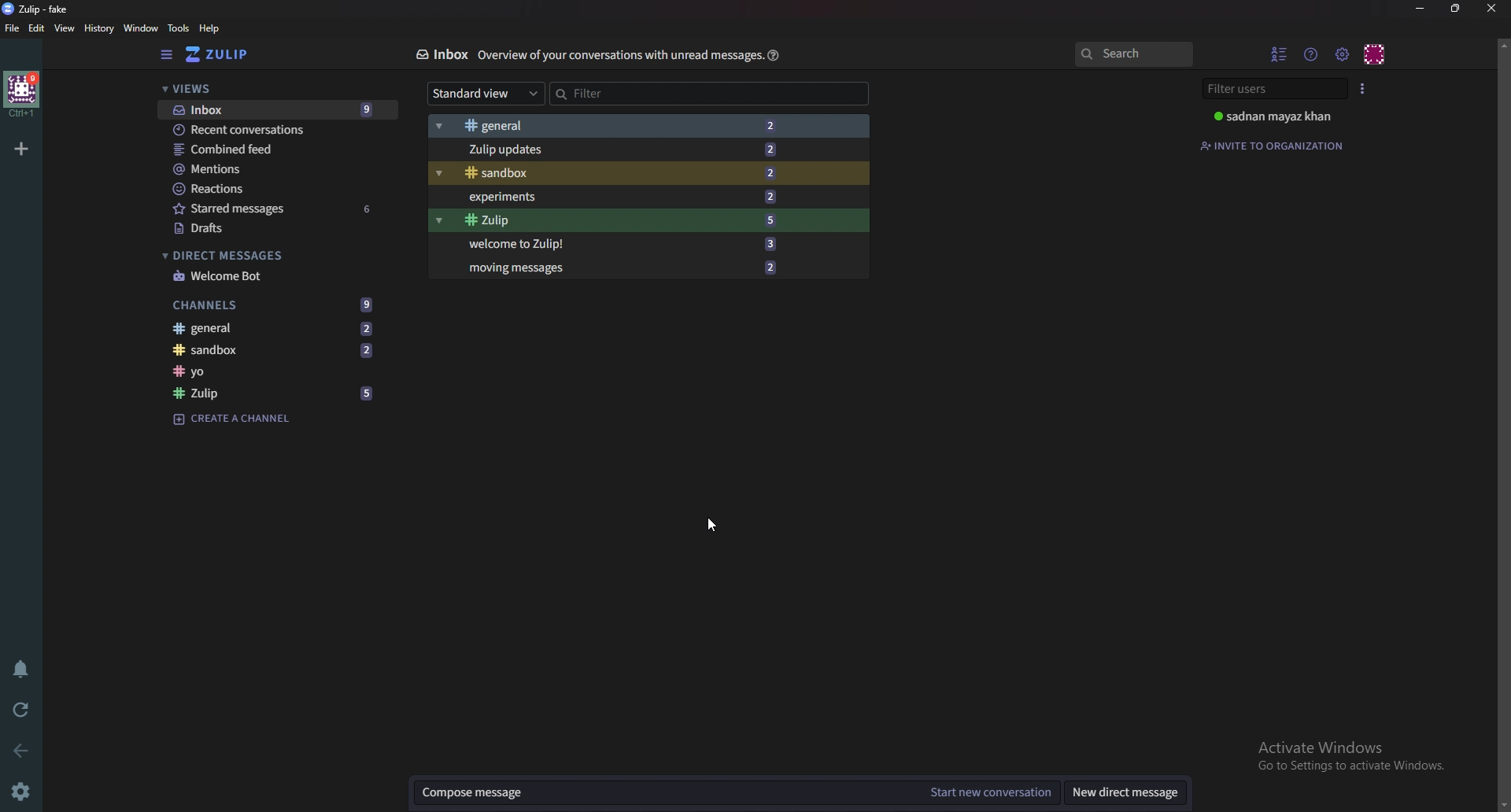 This screenshot has width=1511, height=812. I want to click on Channels, so click(271, 304).